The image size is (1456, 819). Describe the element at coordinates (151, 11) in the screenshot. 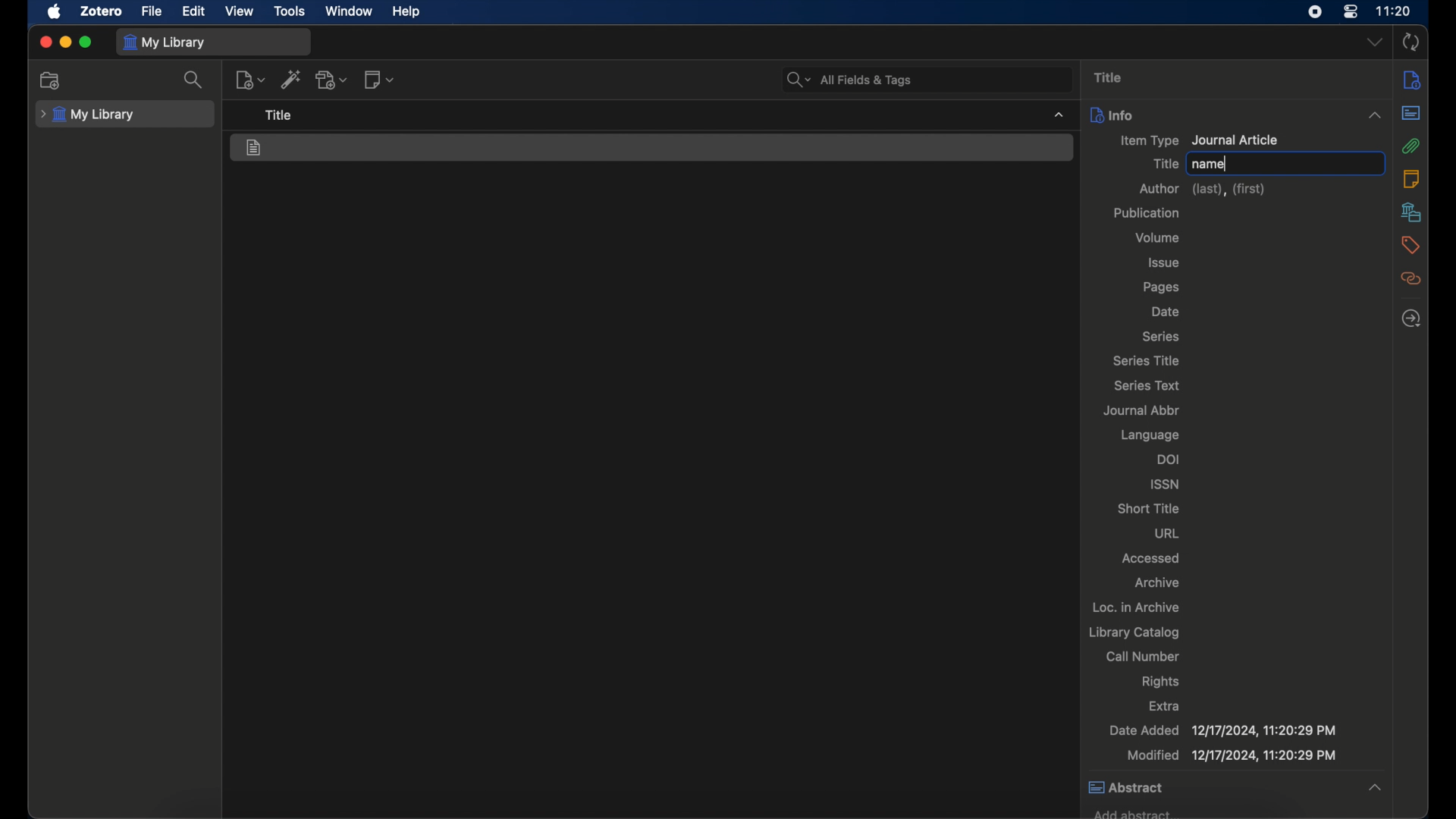

I see `file` at that location.